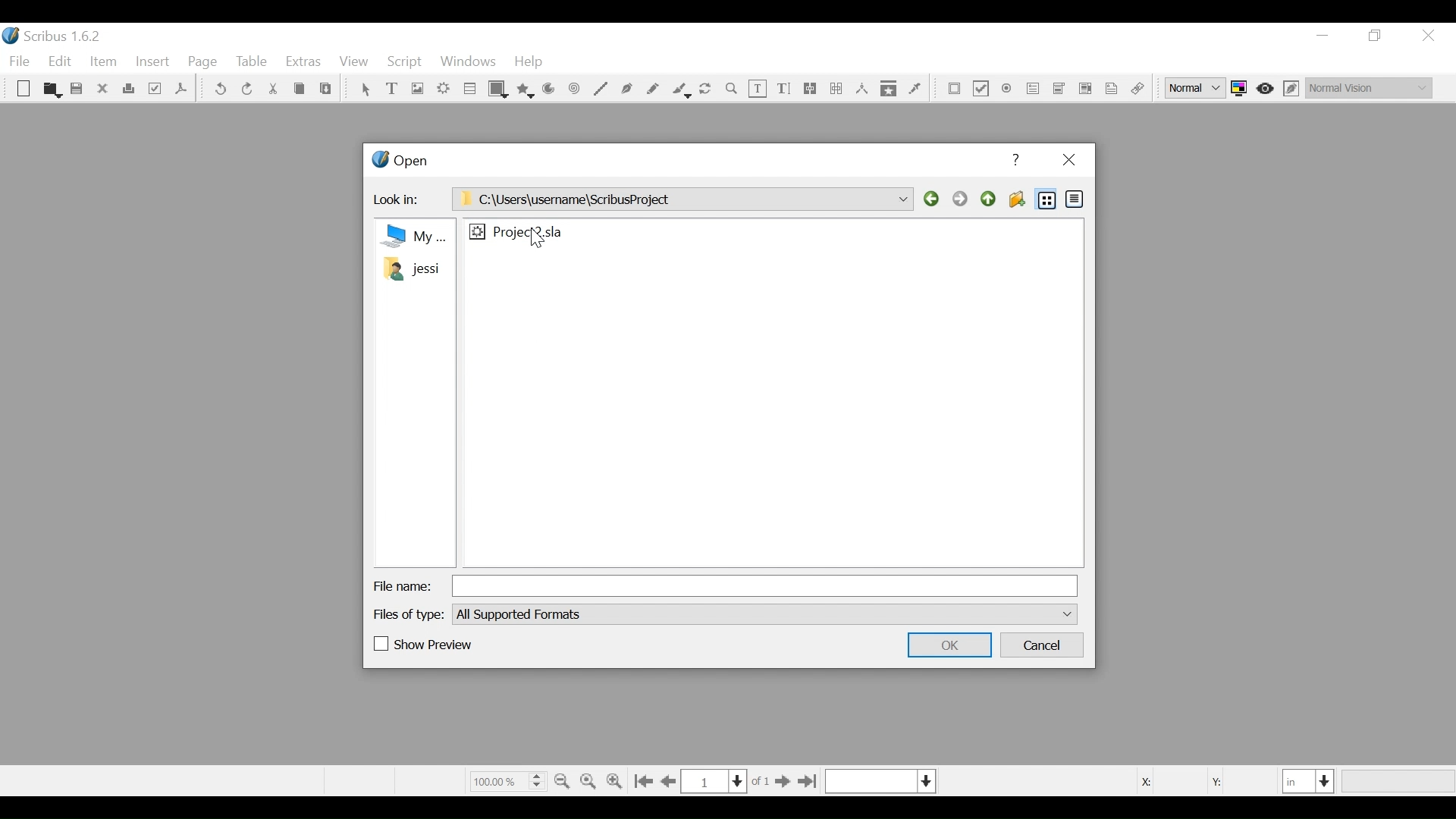  I want to click on Help, so click(529, 63).